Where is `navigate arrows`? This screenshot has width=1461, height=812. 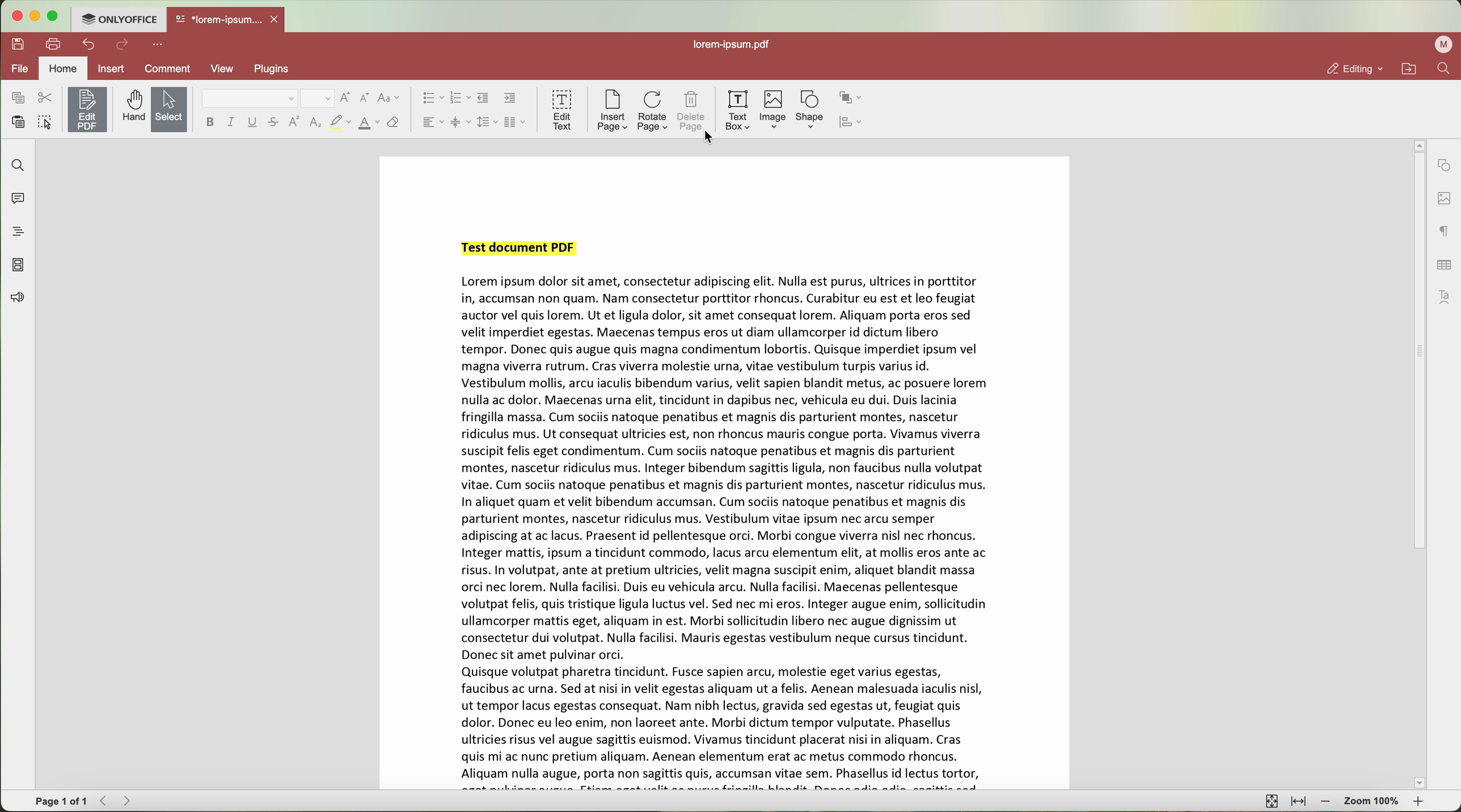 navigate arrows is located at coordinates (115, 802).